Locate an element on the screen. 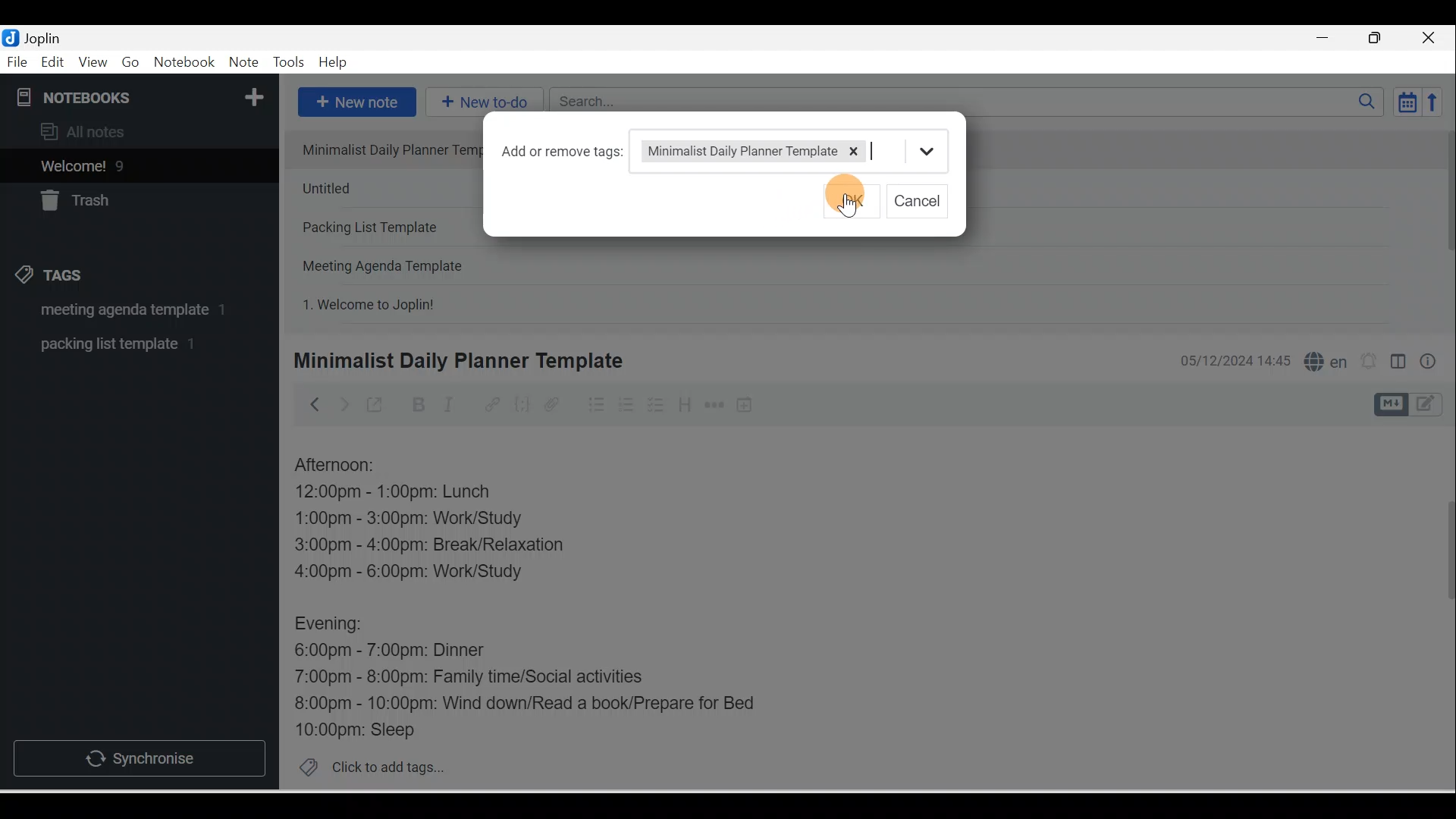 This screenshot has height=819, width=1456. Click to add tags is located at coordinates (366, 765).